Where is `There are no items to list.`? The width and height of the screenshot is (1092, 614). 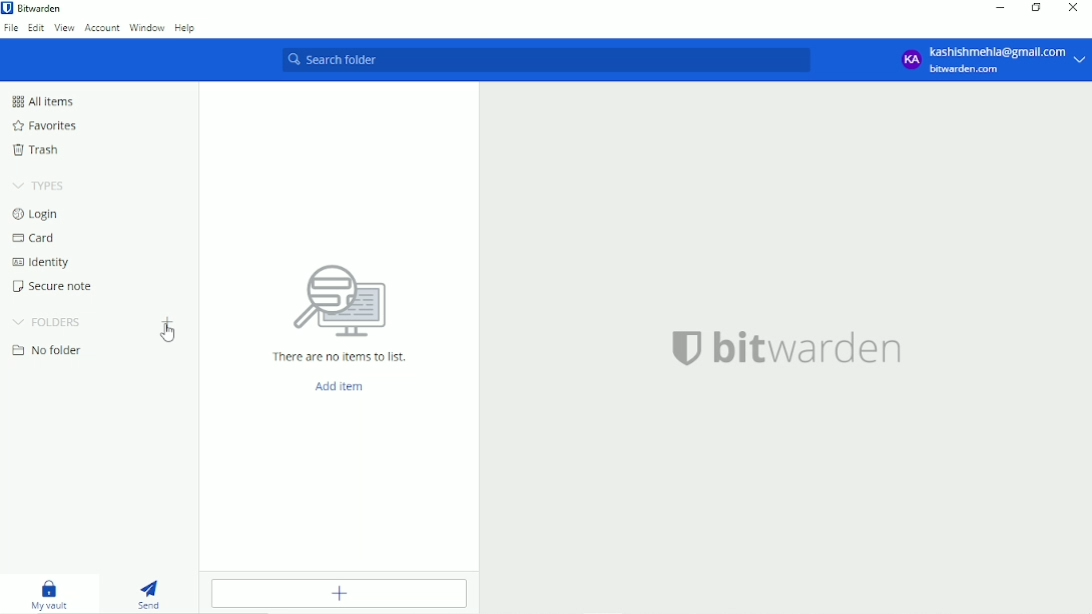 There are no items to list. is located at coordinates (339, 355).